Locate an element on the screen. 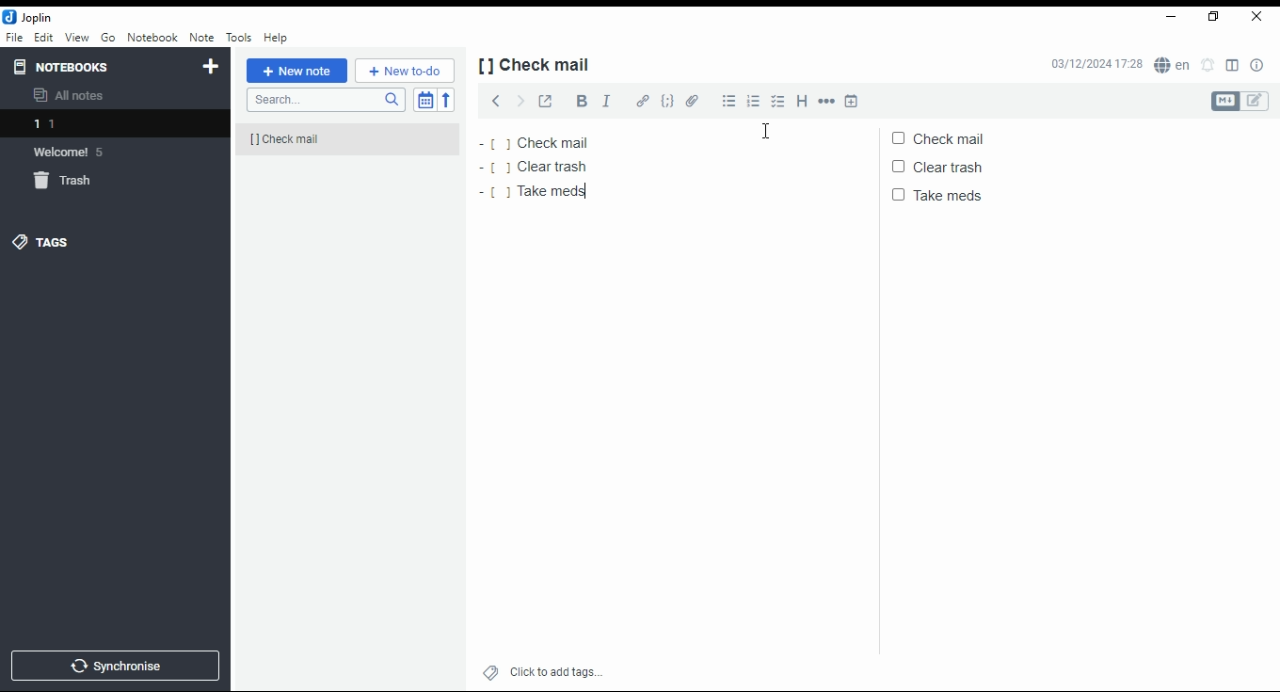 The image size is (1280, 692). icon is located at coordinates (28, 16).